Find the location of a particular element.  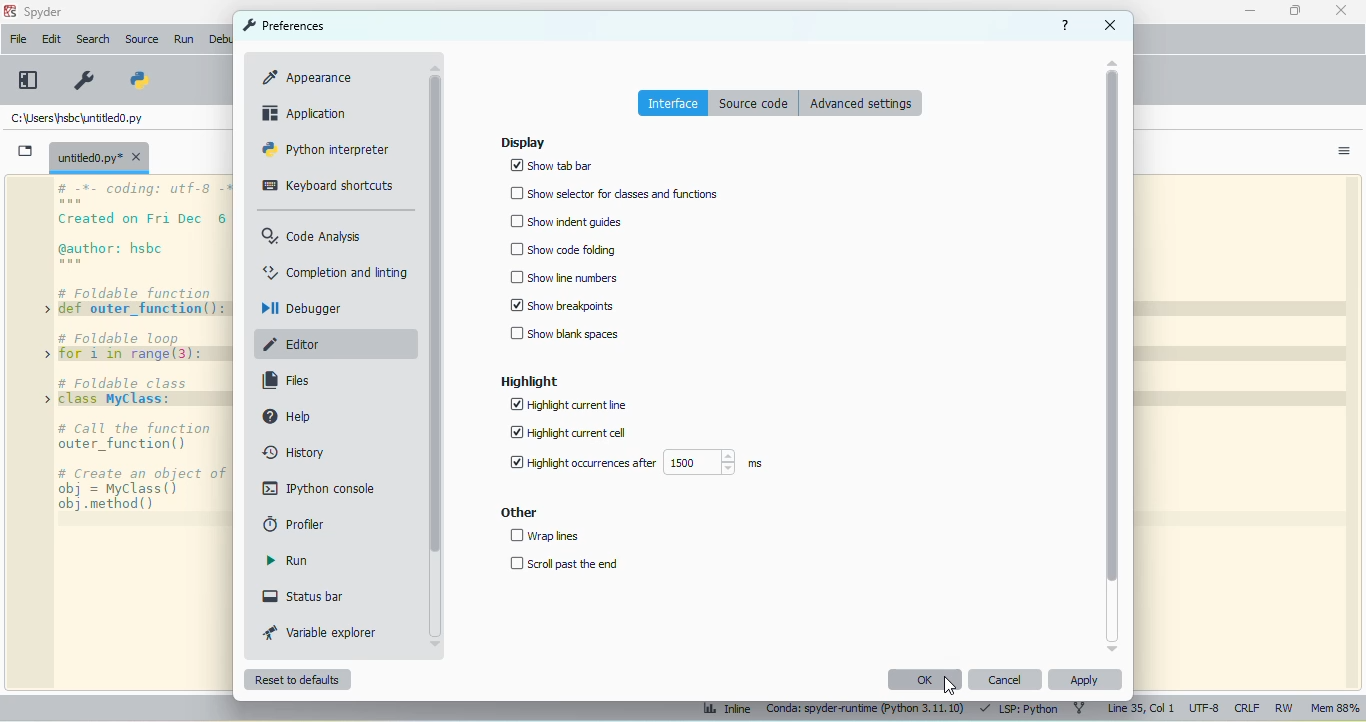

mem 88% is located at coordinates (1334, 709).